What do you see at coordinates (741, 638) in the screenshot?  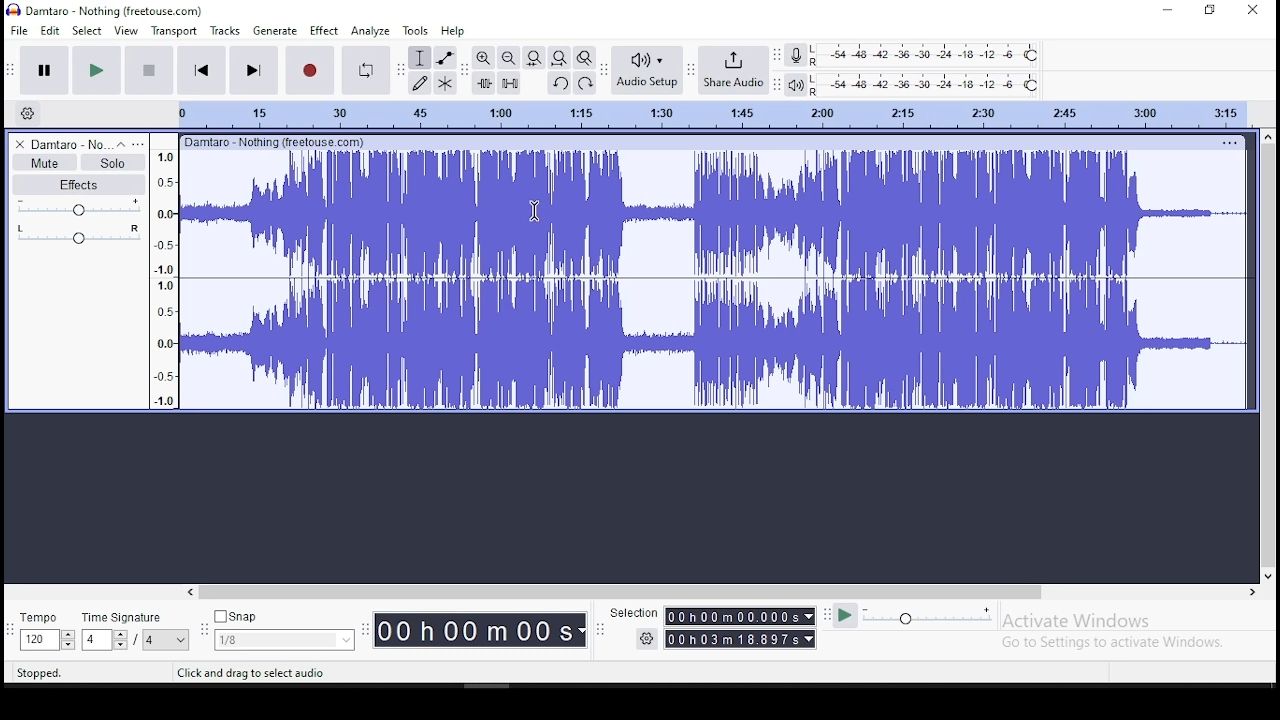 I see `00 h 00 m 00.000 s` at bounding box center [741, 638].